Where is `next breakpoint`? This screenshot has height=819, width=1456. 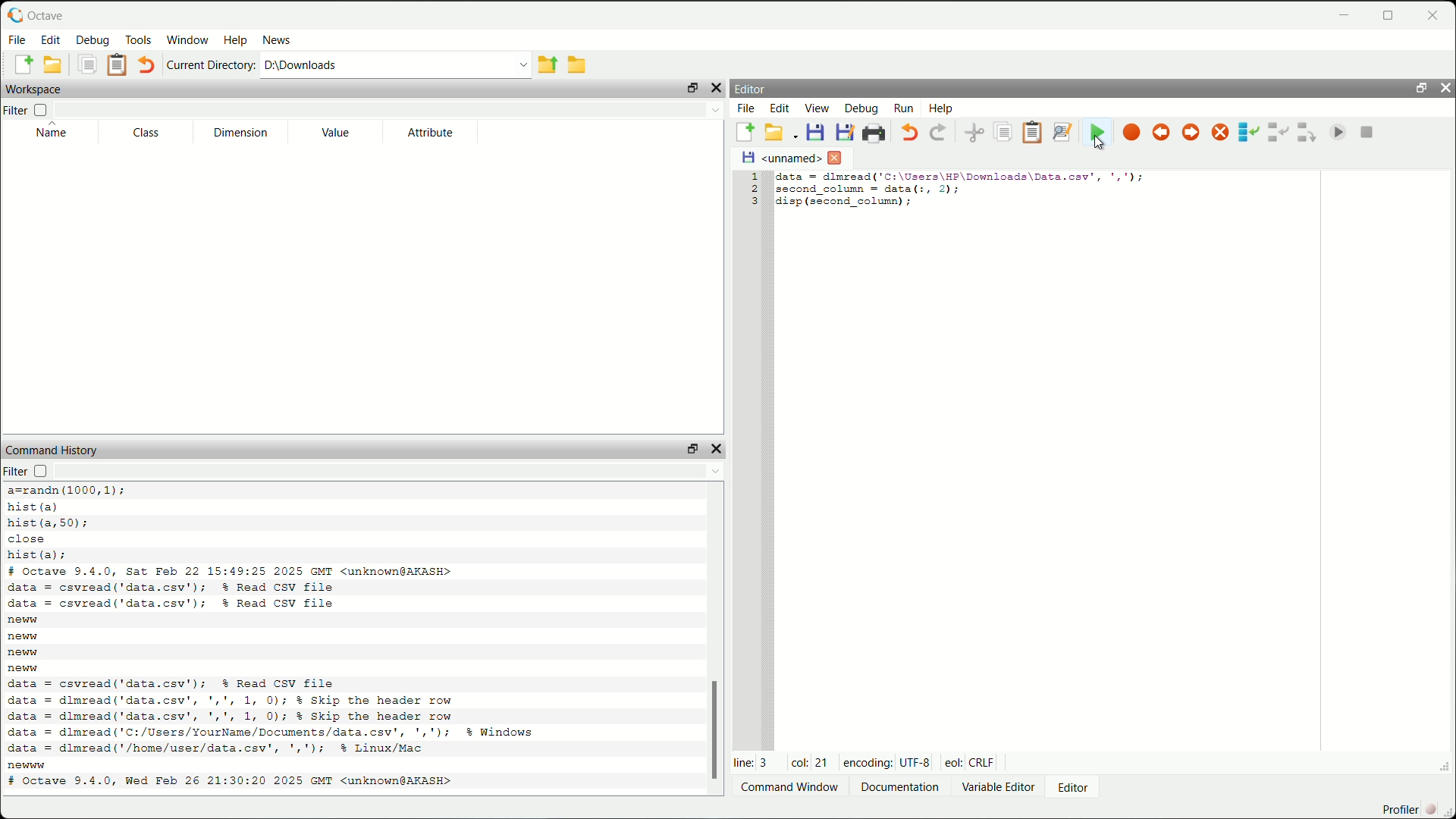 next breakpoint is located at coordinates (1189, 133).